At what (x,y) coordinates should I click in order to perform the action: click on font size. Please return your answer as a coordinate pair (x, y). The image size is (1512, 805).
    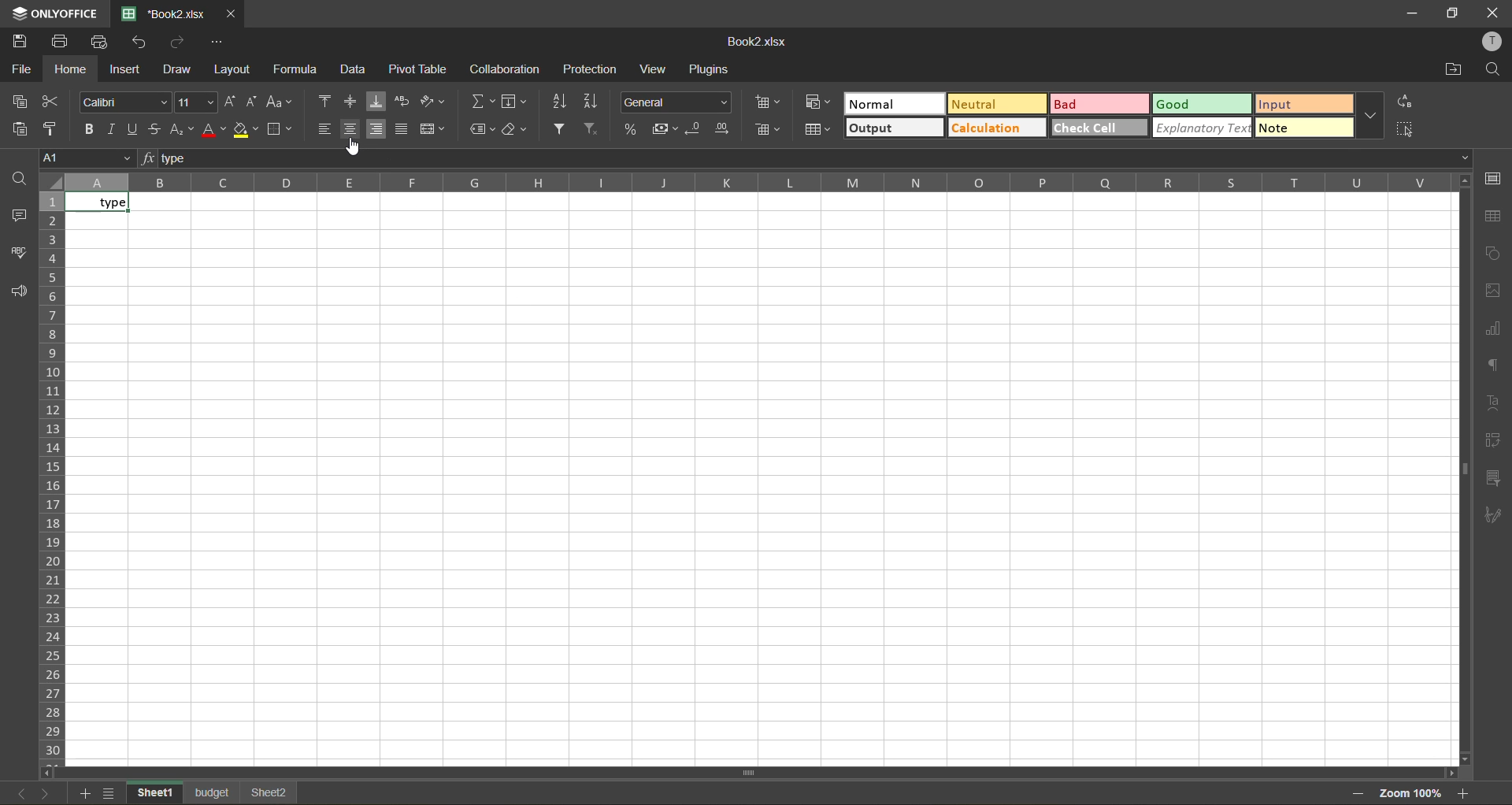
    Looking at the image, I should click on (197, 102).